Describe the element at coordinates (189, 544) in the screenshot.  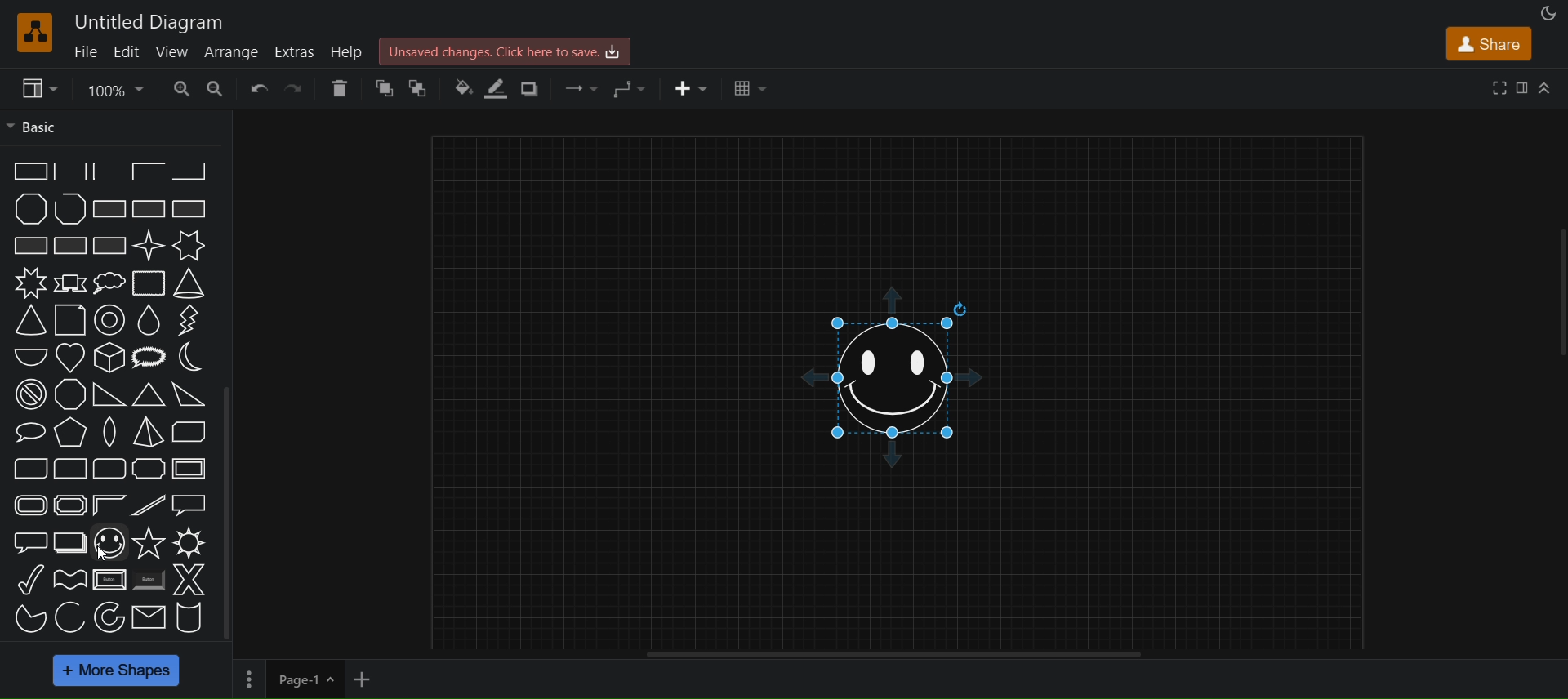
I see `sun` at that location.